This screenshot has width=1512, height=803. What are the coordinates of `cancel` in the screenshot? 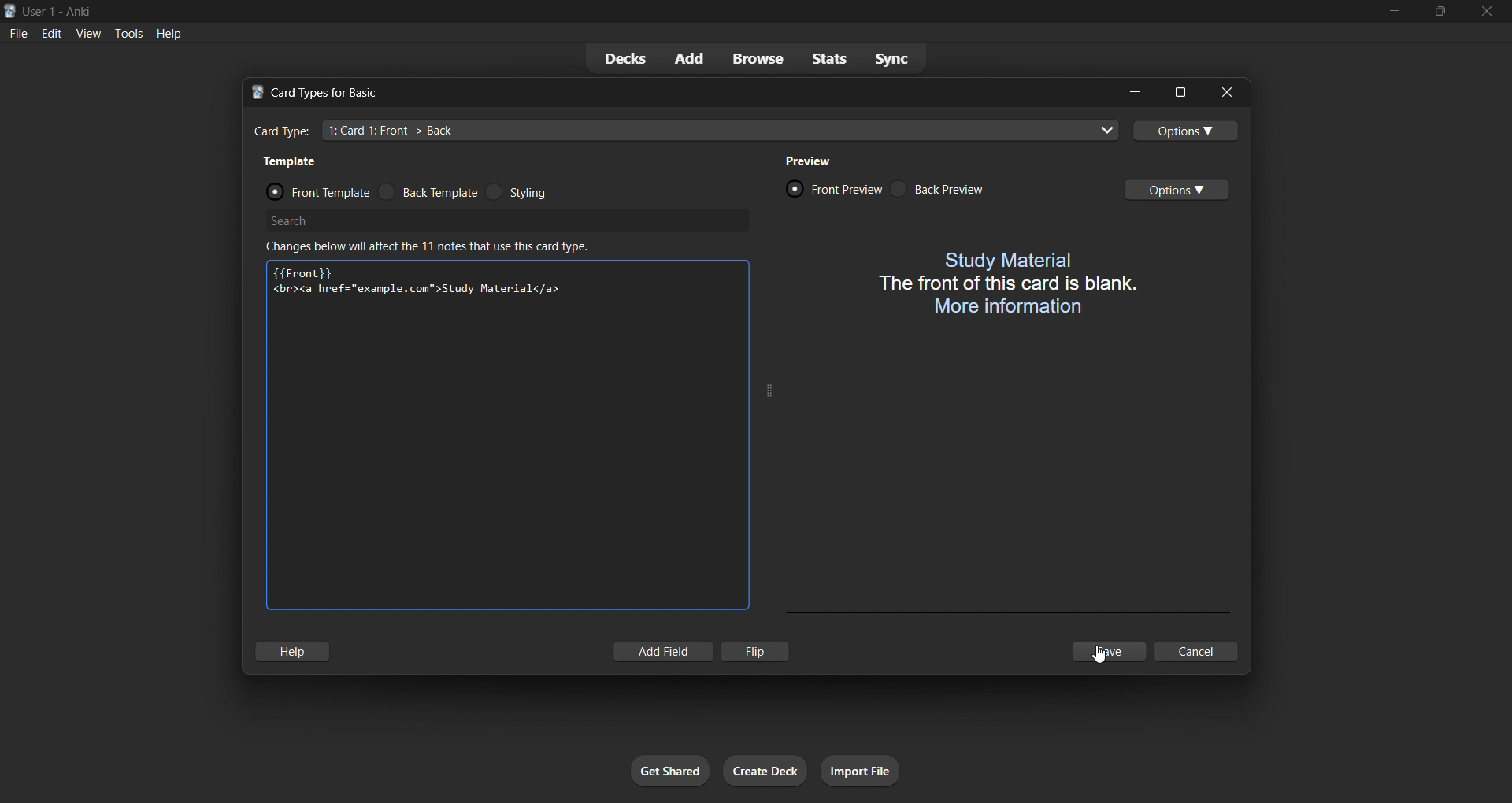 It's located at (1197, 650).